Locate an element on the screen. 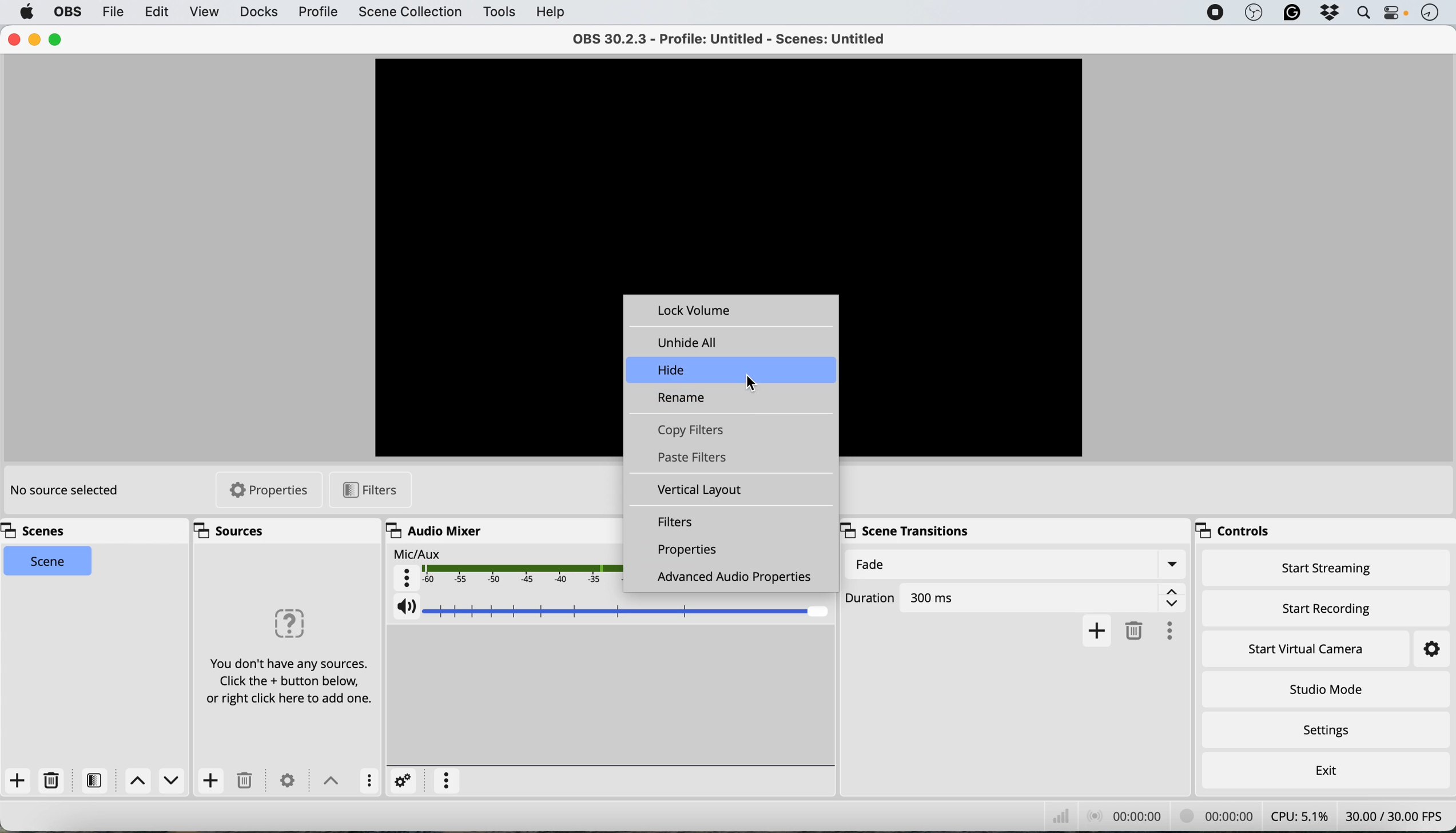 Image resolution: width=1456 pixels, height=833 pixels. add transition is located at coordinates (1095, 630).